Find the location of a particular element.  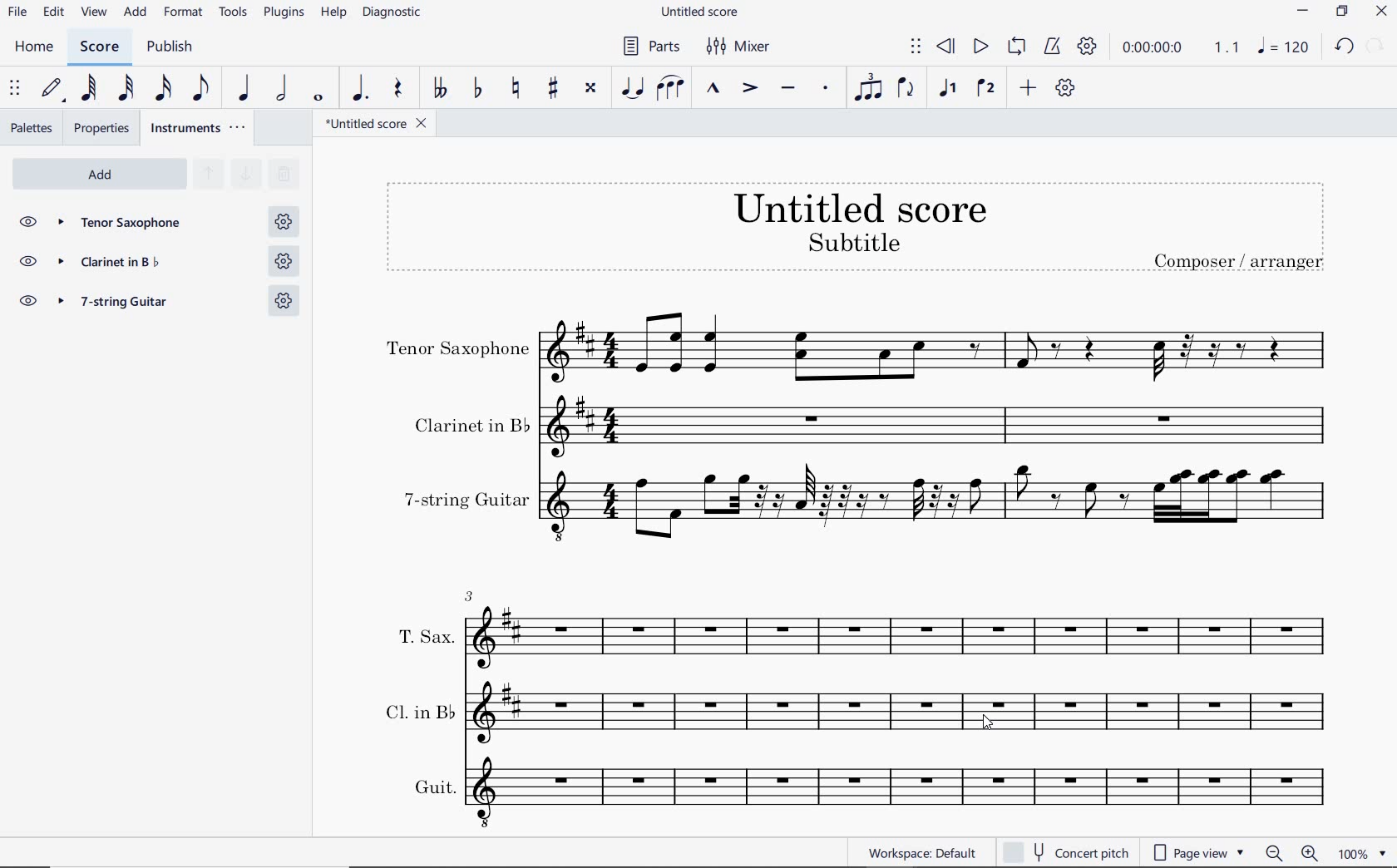

FILE is located at coordinates (17, 11).